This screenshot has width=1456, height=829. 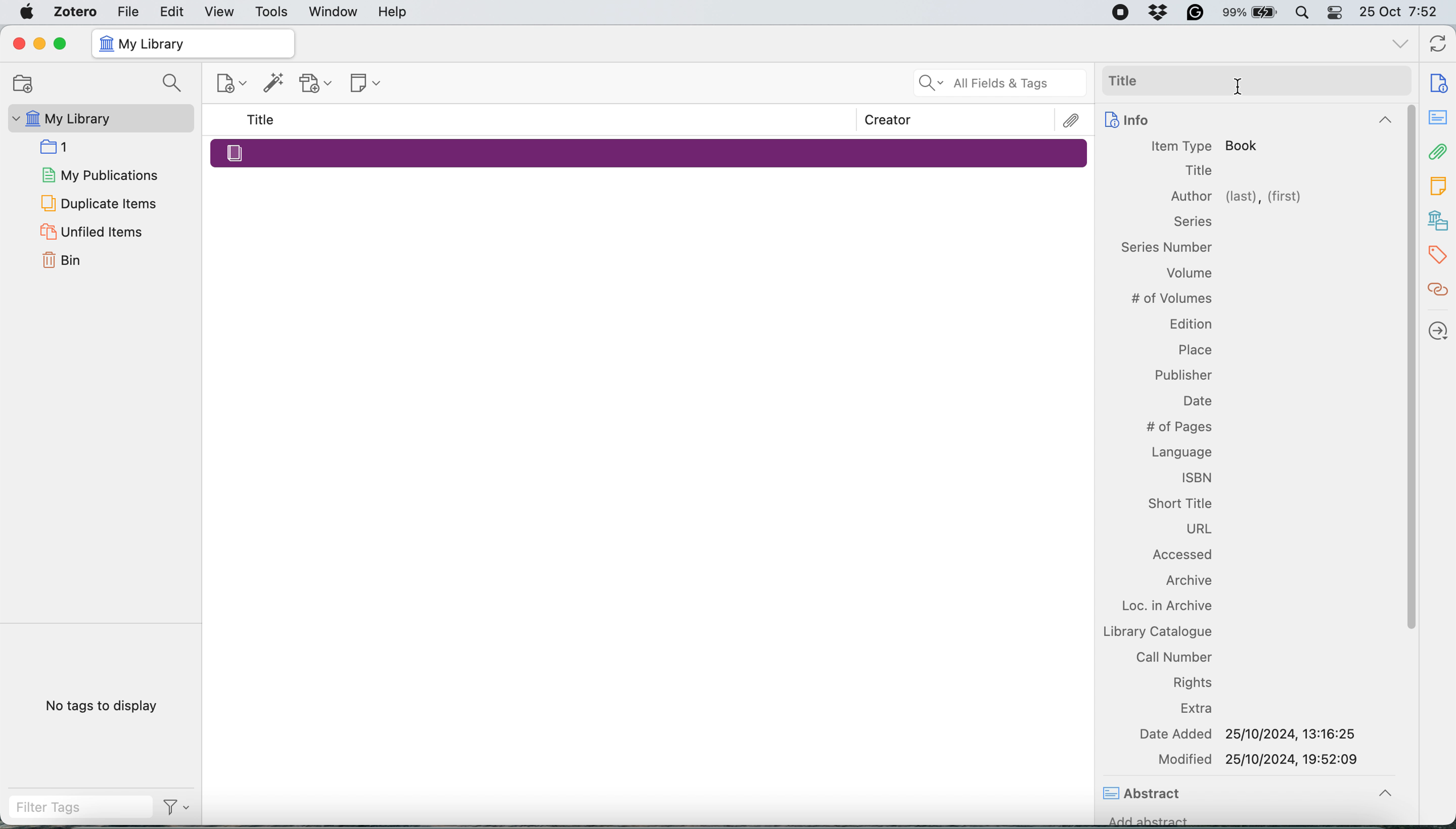 What do you see at coordinates (648, 151) in the screenshot?
I see `Merged Entry` at bounding box center [648, 151].